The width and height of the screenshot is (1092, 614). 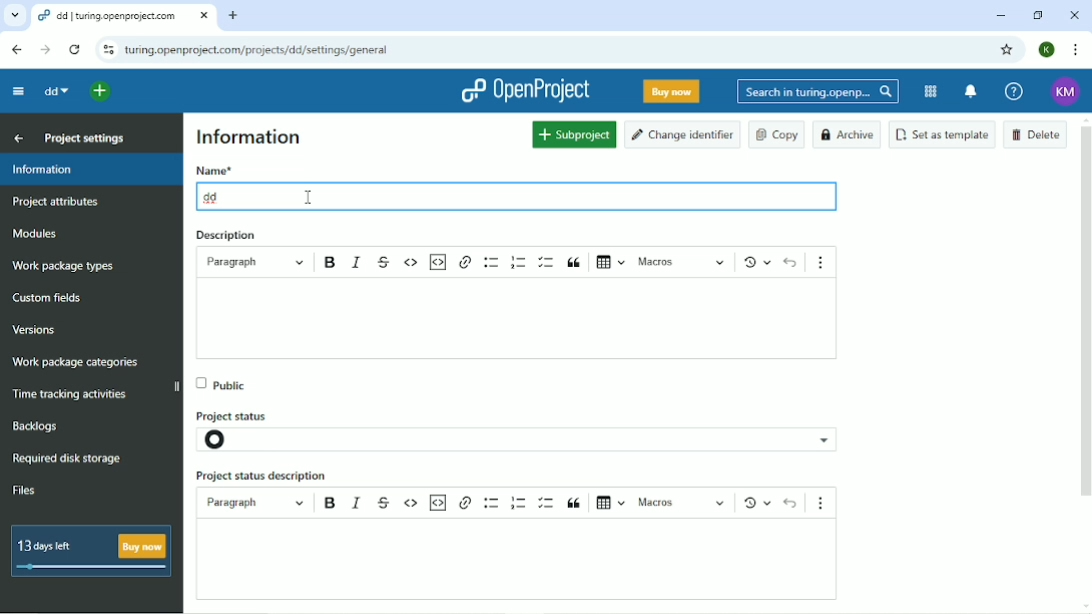 I want to click on Italic, so click(x=357, y=263).